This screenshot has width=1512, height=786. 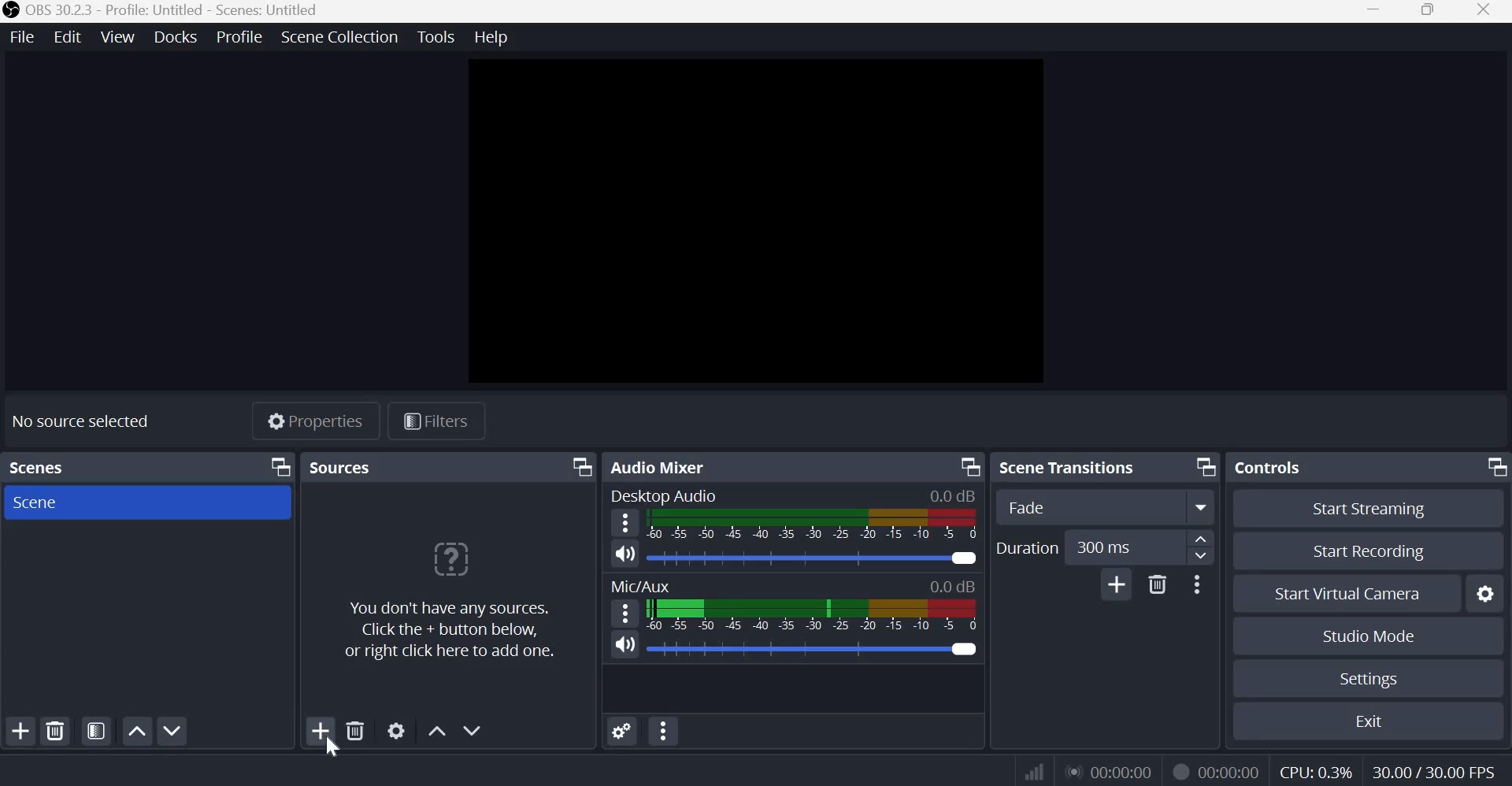 I want to click on Close, so click(x=1485, y=11).